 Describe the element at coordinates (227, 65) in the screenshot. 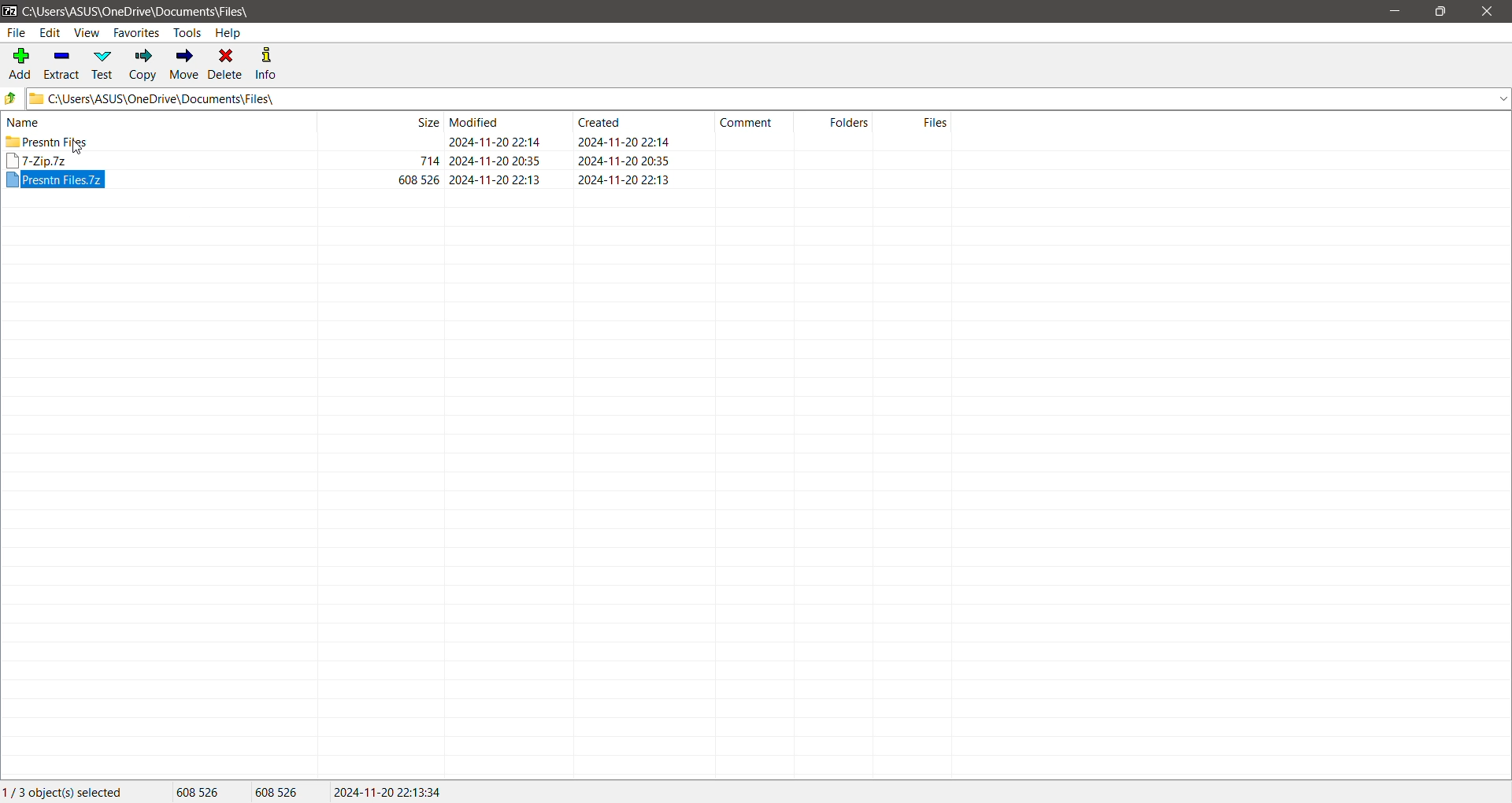

I see `Delete` at that location.